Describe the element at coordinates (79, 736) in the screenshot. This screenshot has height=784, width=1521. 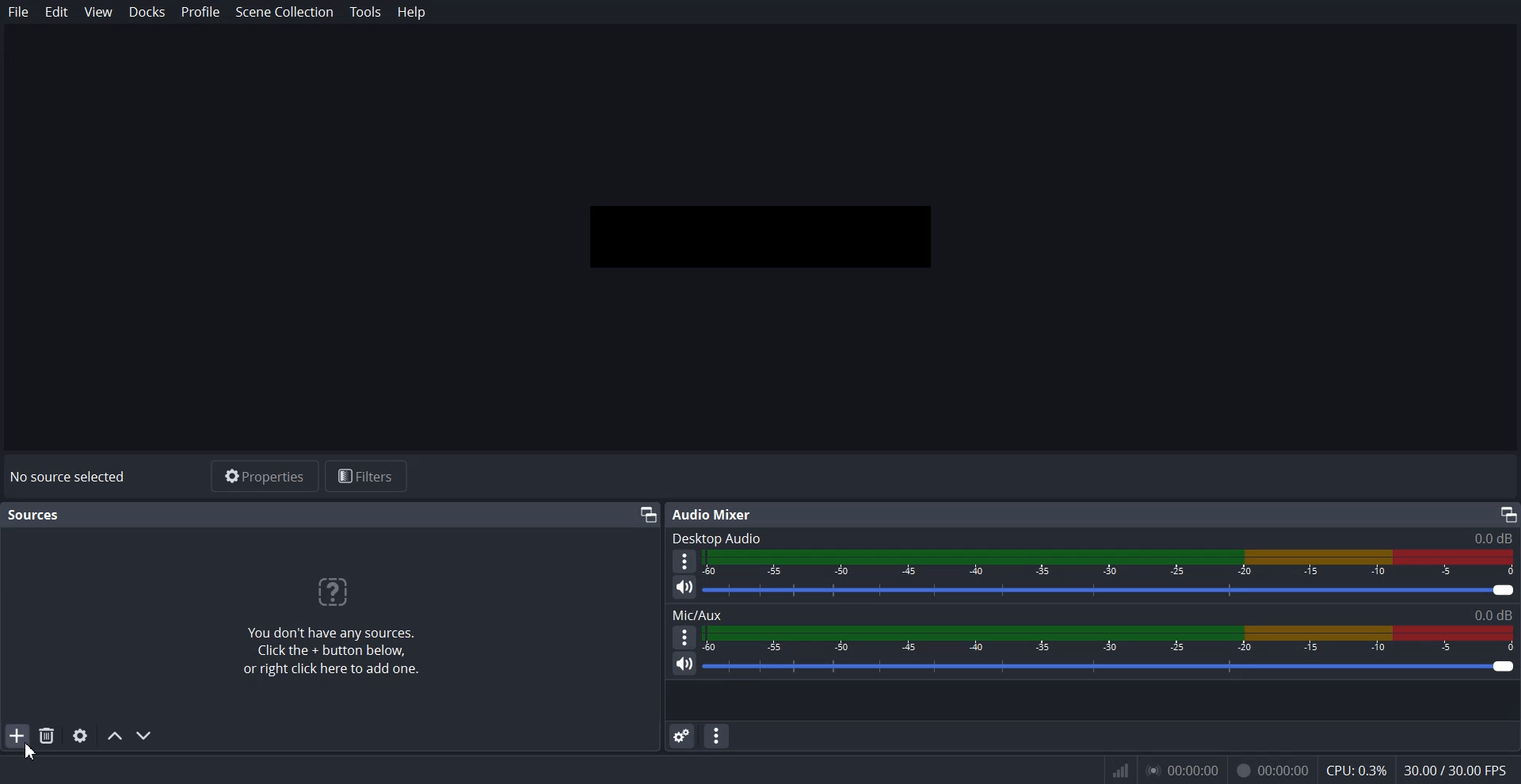
I see `Open source properties` at that location.